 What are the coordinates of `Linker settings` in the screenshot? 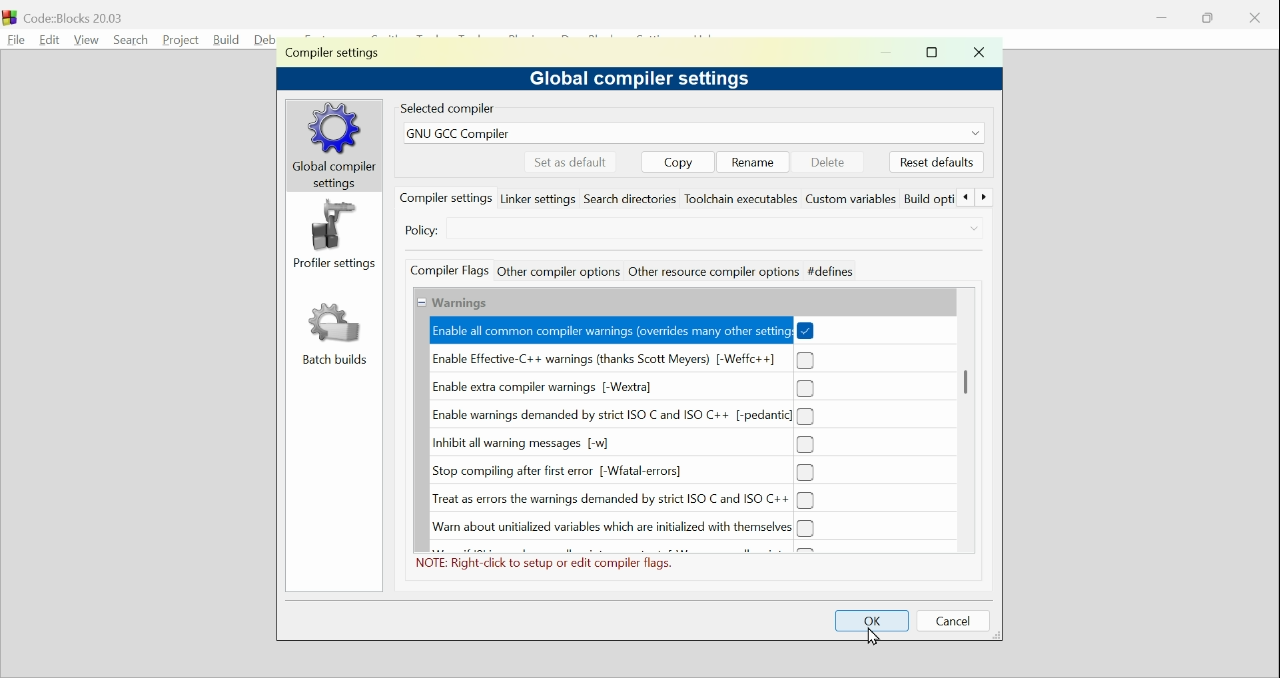 It's located at (539, 199).